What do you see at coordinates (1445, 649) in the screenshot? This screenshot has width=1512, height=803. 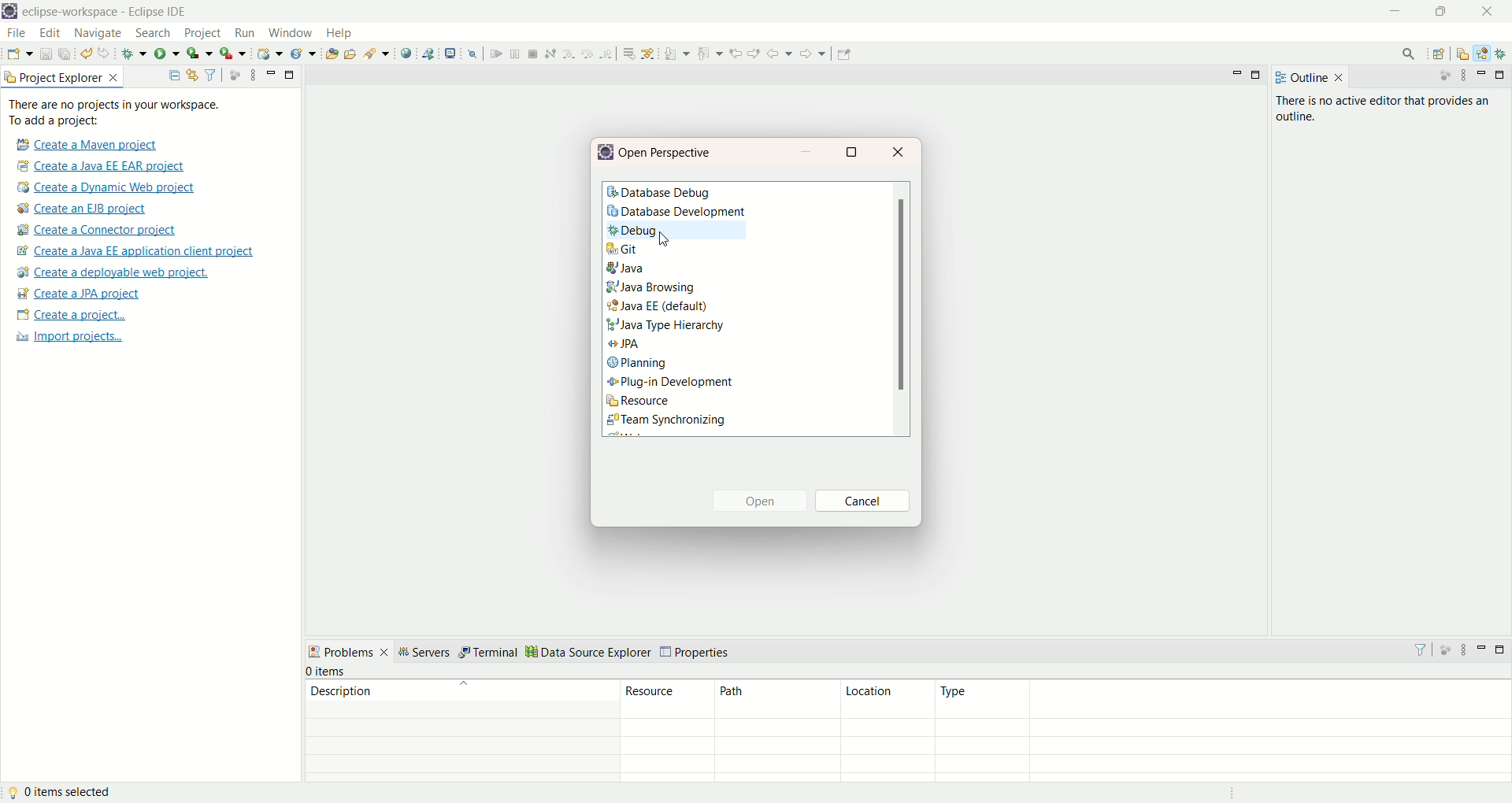 I see `focus on active task` at bounding box center [1445, 649].